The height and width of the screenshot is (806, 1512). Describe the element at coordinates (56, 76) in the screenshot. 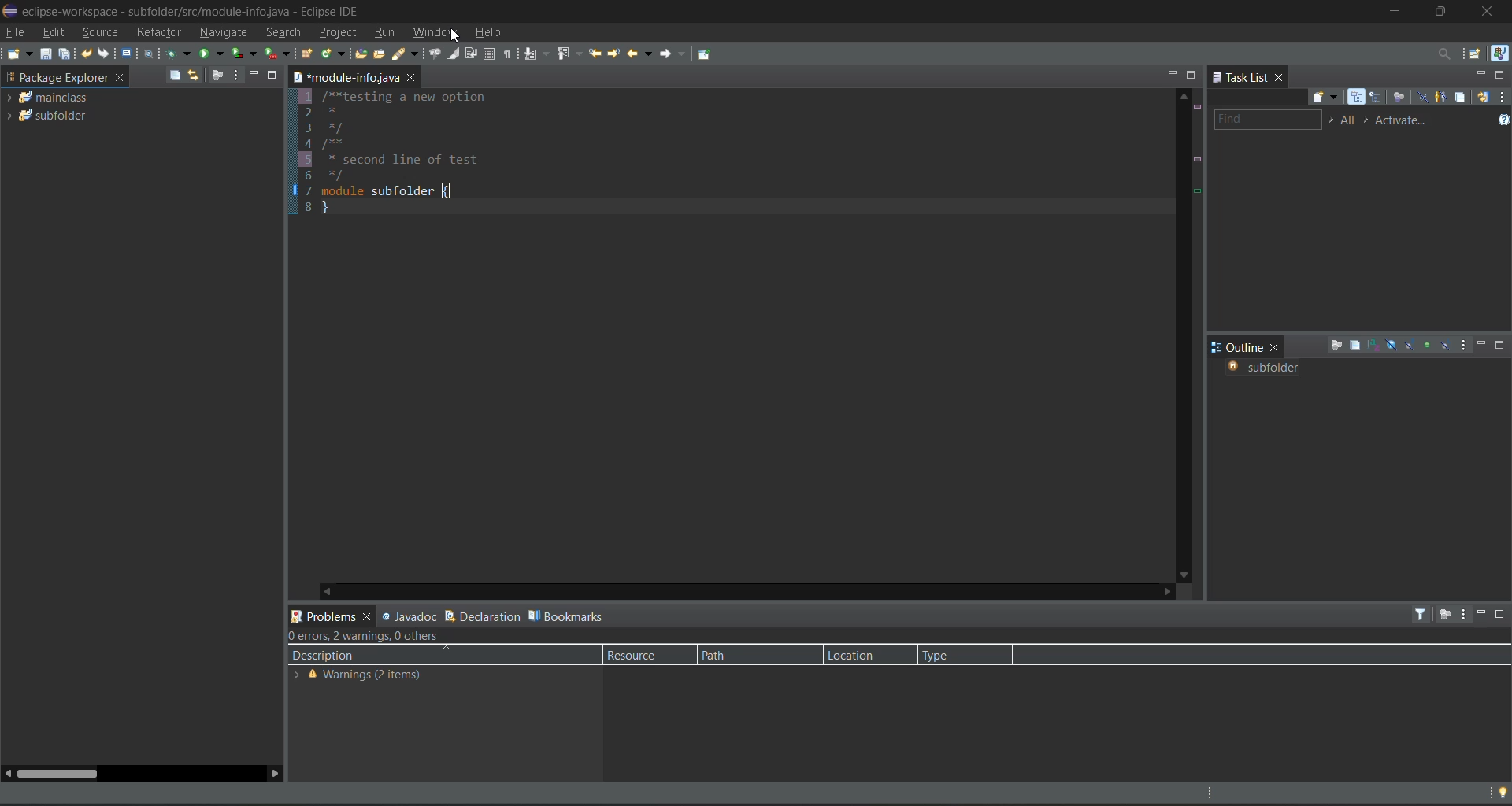

I see `package explorer` at that location.